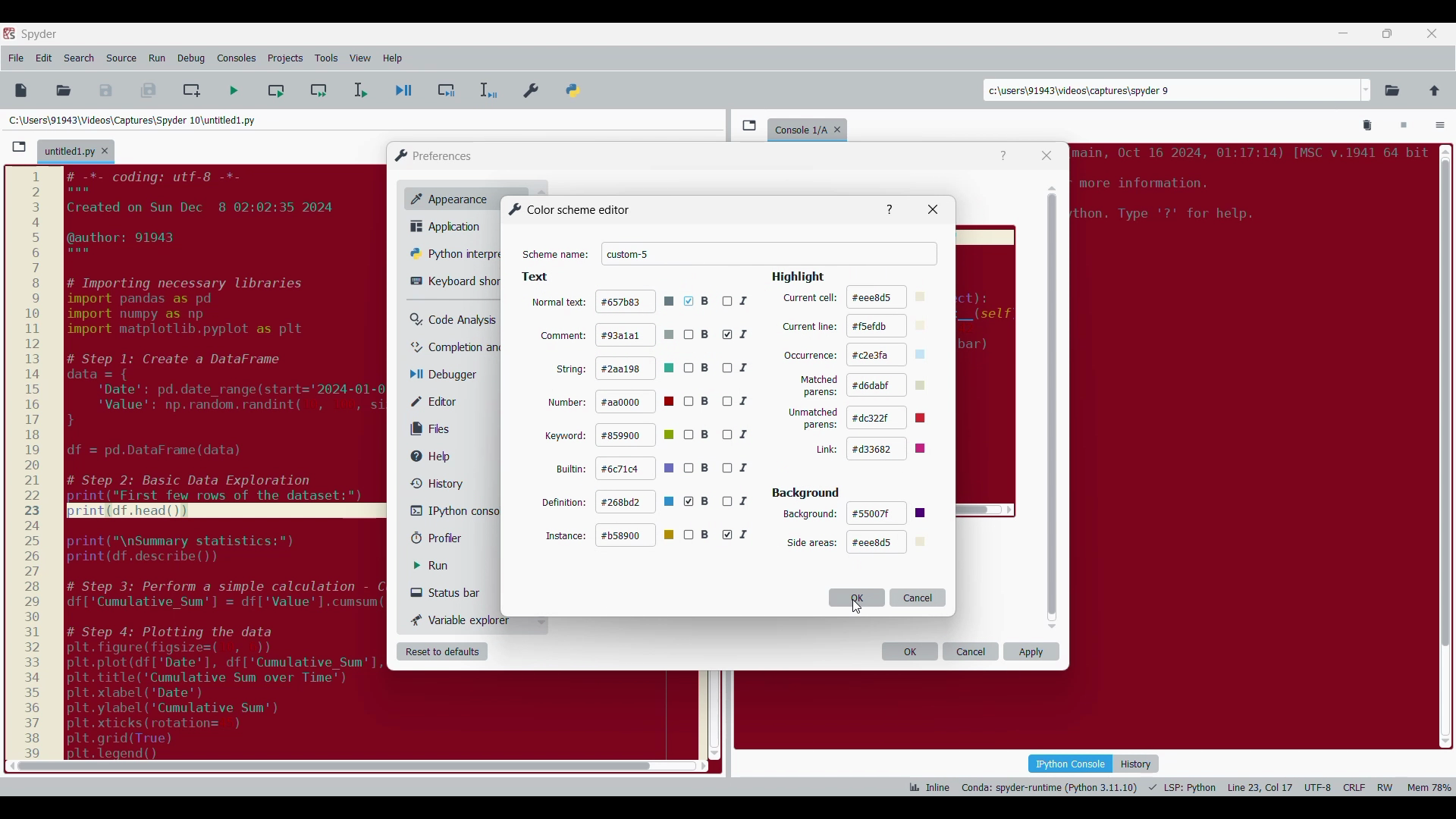 This screenshot has width=1456, height=819. What do you see at coordinates (1136, 764) in the screenshot?
I see `History` at bounding box center [1136, 764].